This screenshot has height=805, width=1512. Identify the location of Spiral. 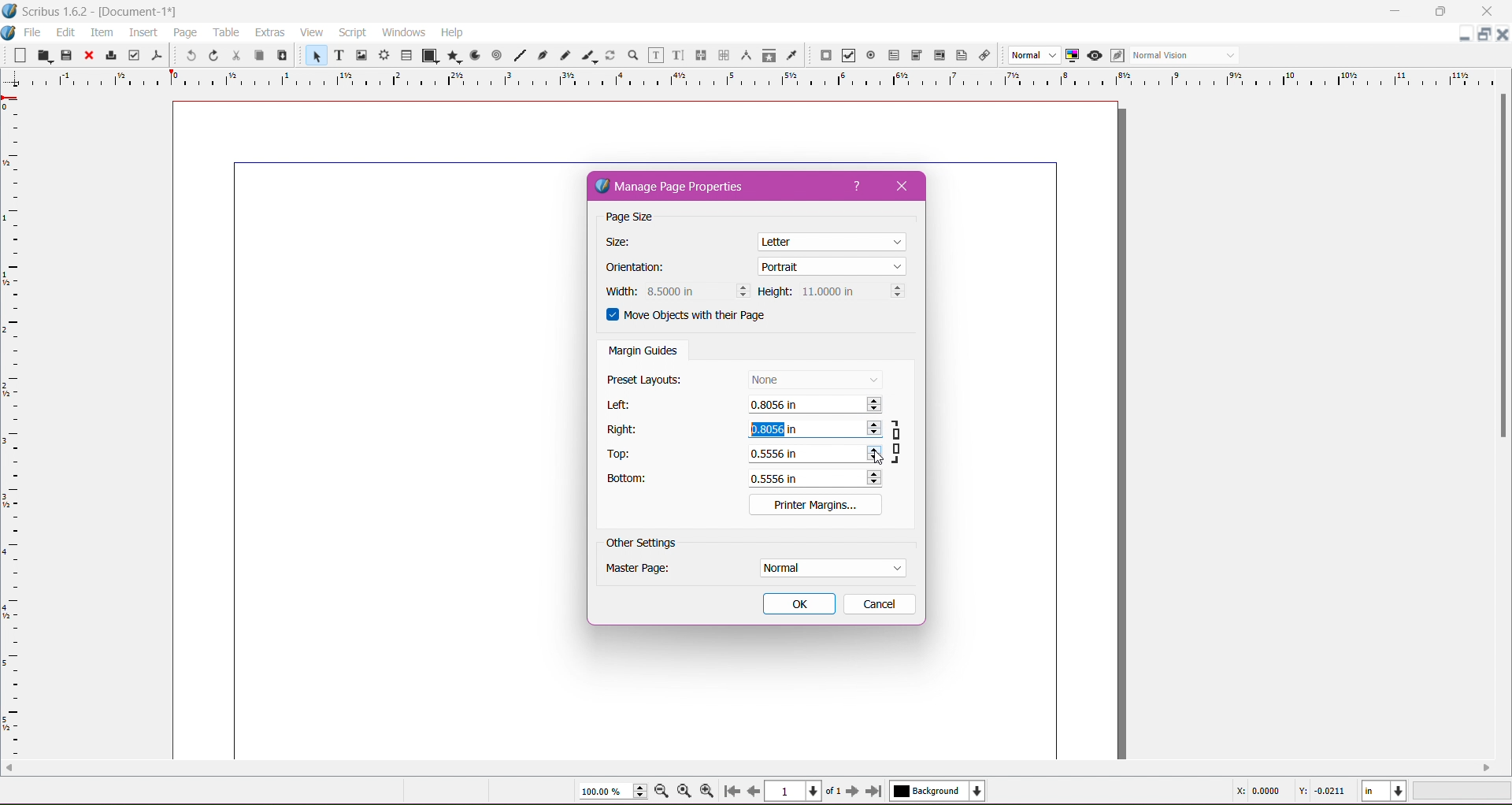
(496, 56).